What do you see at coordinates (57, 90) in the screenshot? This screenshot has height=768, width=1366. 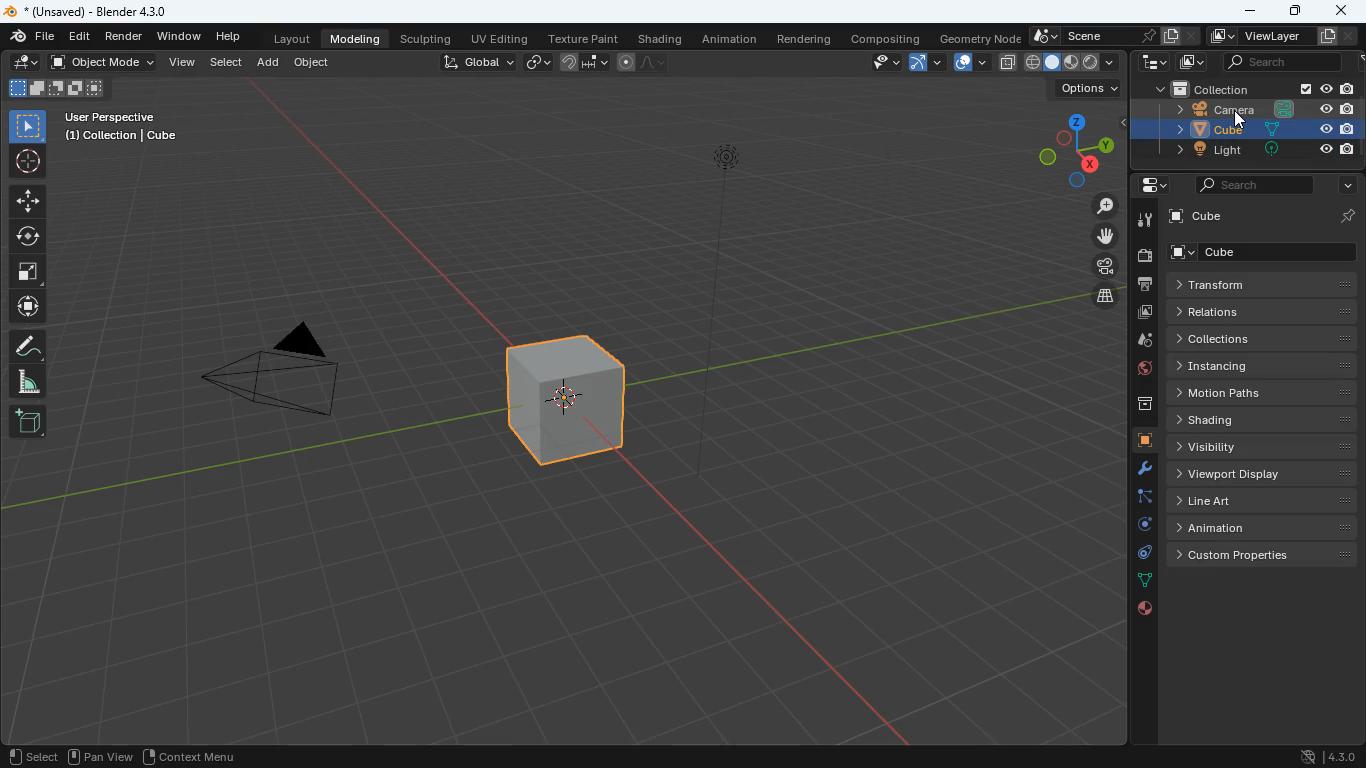 I see `cube` at bounding box center [57, 90].